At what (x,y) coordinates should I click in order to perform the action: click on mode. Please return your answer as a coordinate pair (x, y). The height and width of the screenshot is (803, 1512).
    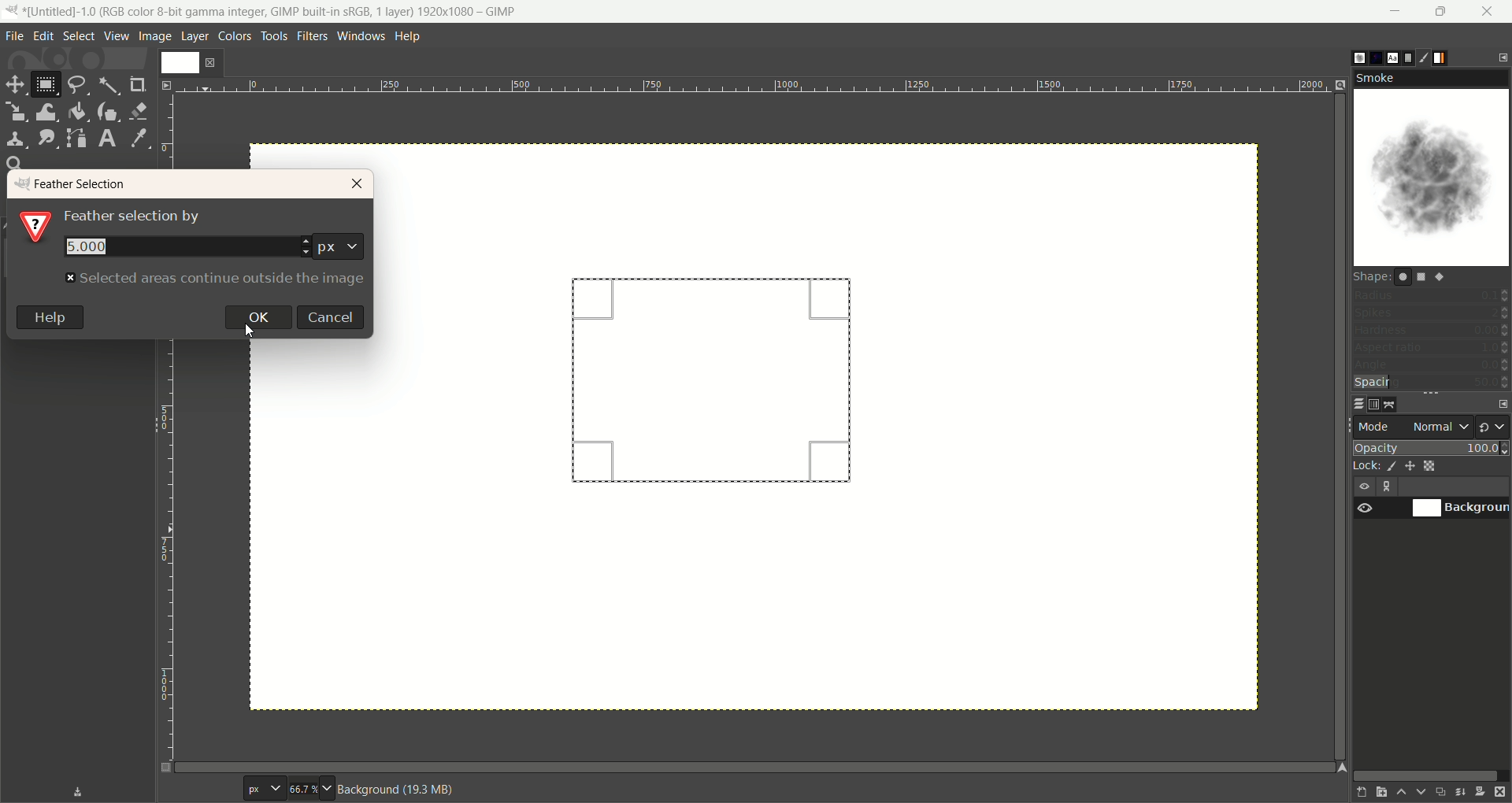
    Looking at the image, I should click on (1373, 426).